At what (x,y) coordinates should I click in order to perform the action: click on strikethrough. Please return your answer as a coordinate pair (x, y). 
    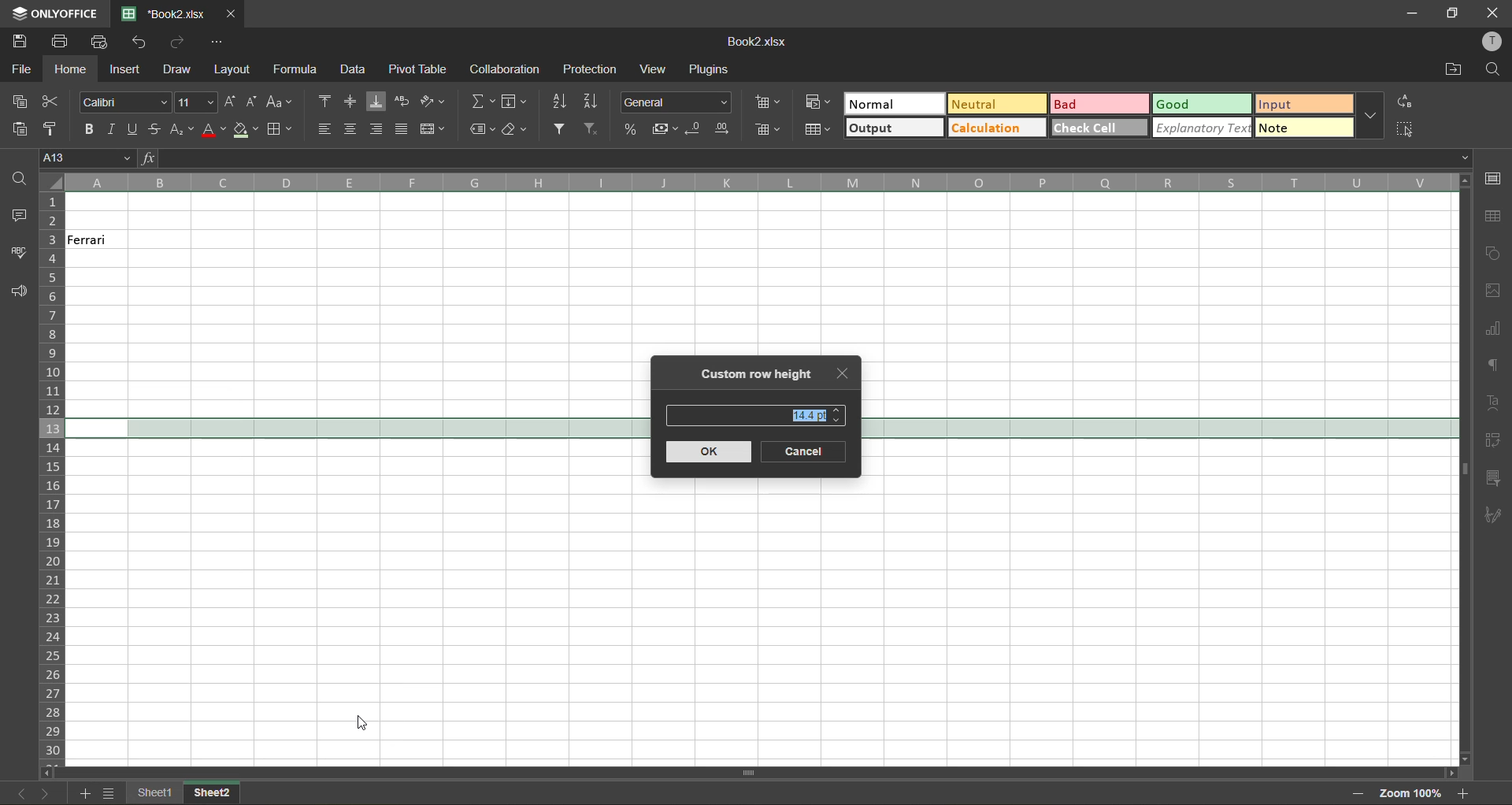
    Looking at the image, I should click on (152, 128).